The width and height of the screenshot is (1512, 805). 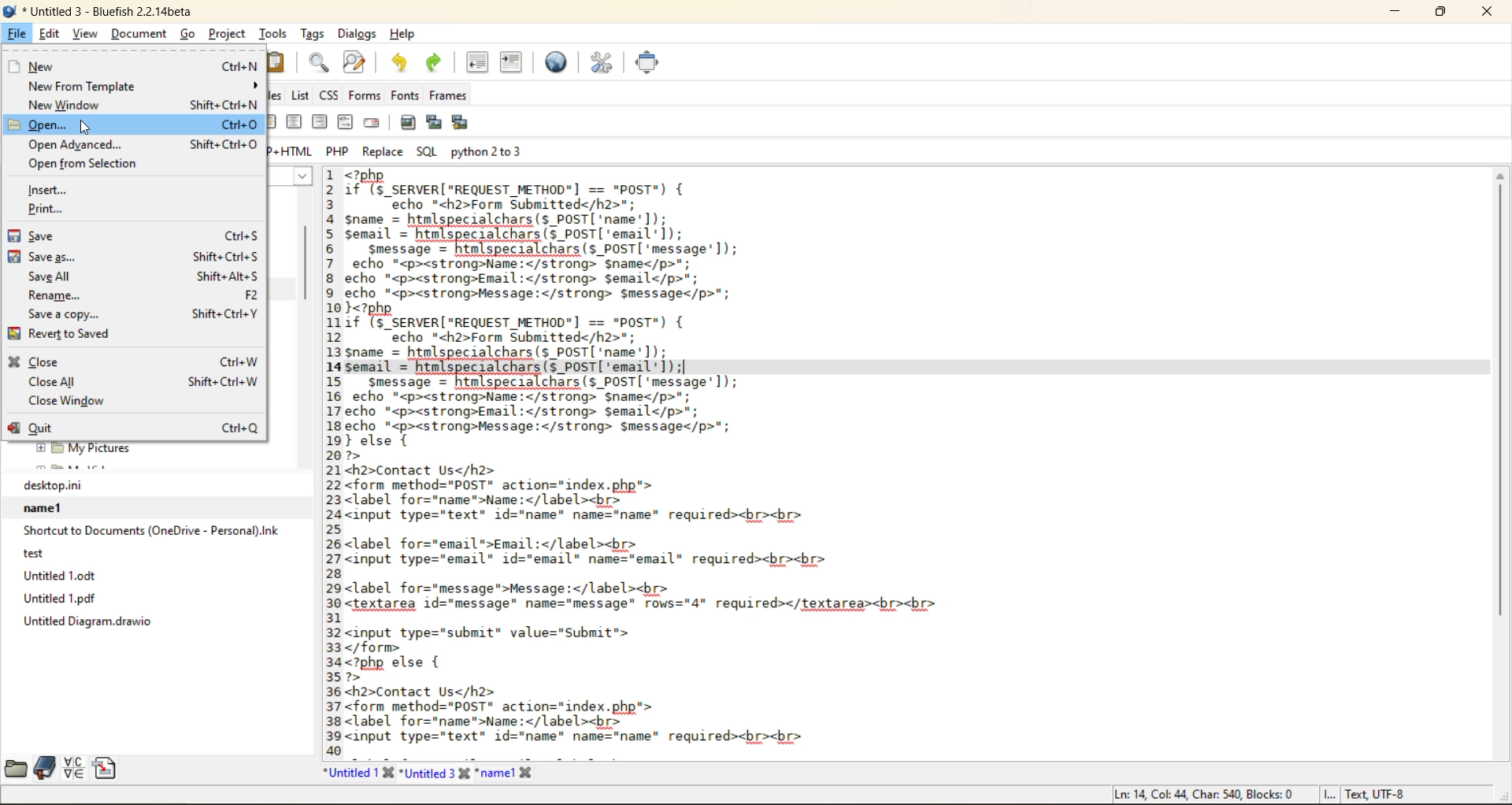 I want to click on forms, so click(x=362, y=95).